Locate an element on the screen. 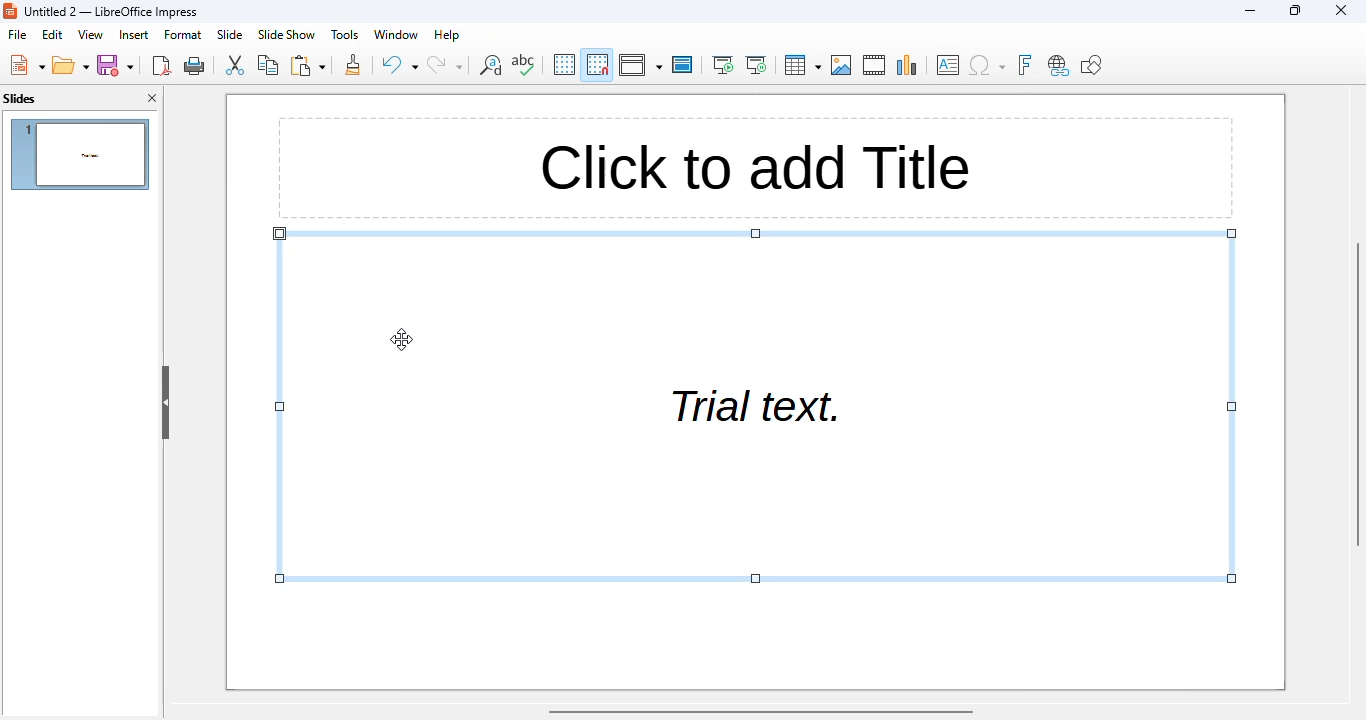 The image size is (1366, 720). copy is located at coordinates (268, 65).